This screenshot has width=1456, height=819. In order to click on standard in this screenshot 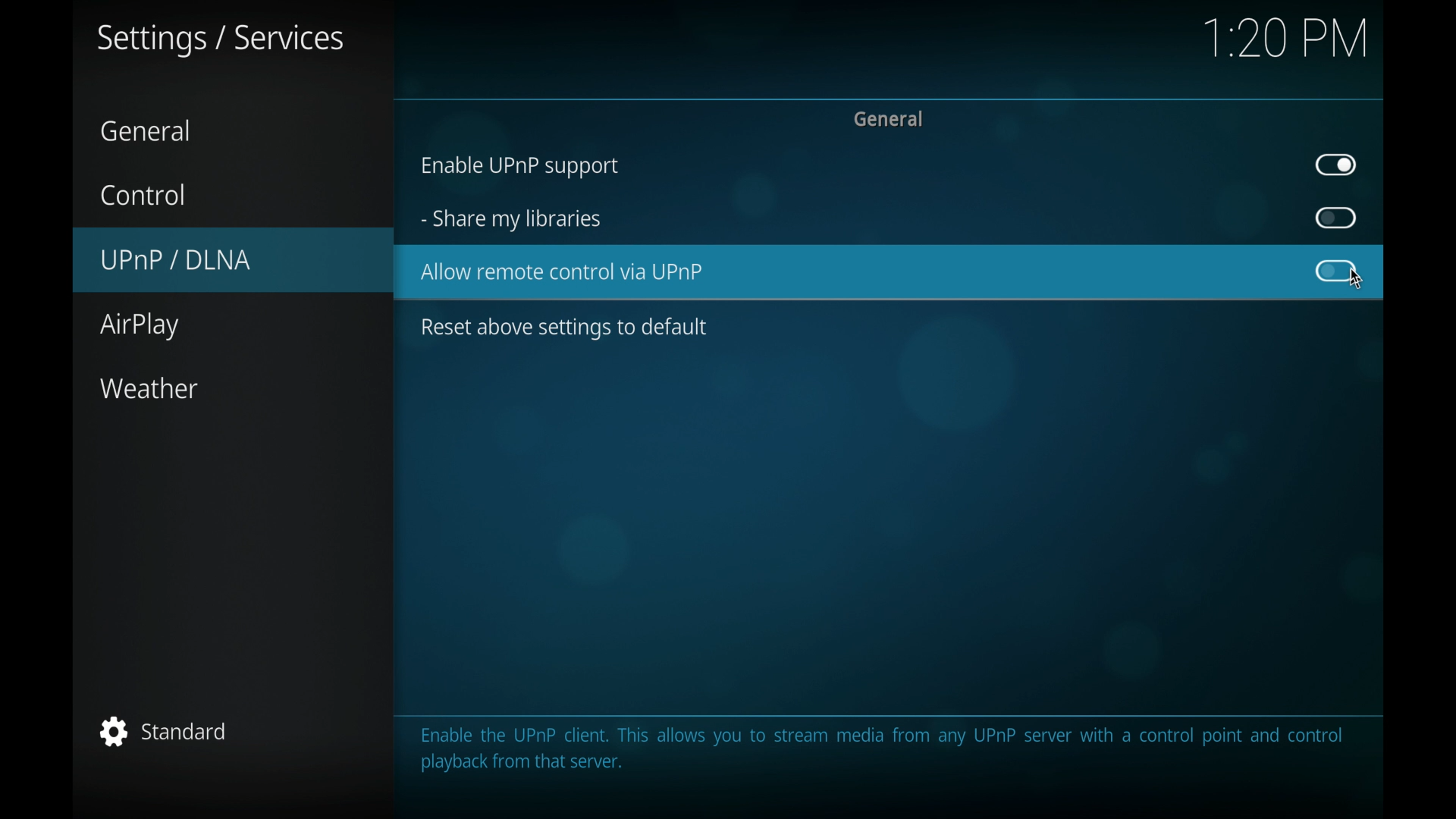, I will do `click(167, 731)`.